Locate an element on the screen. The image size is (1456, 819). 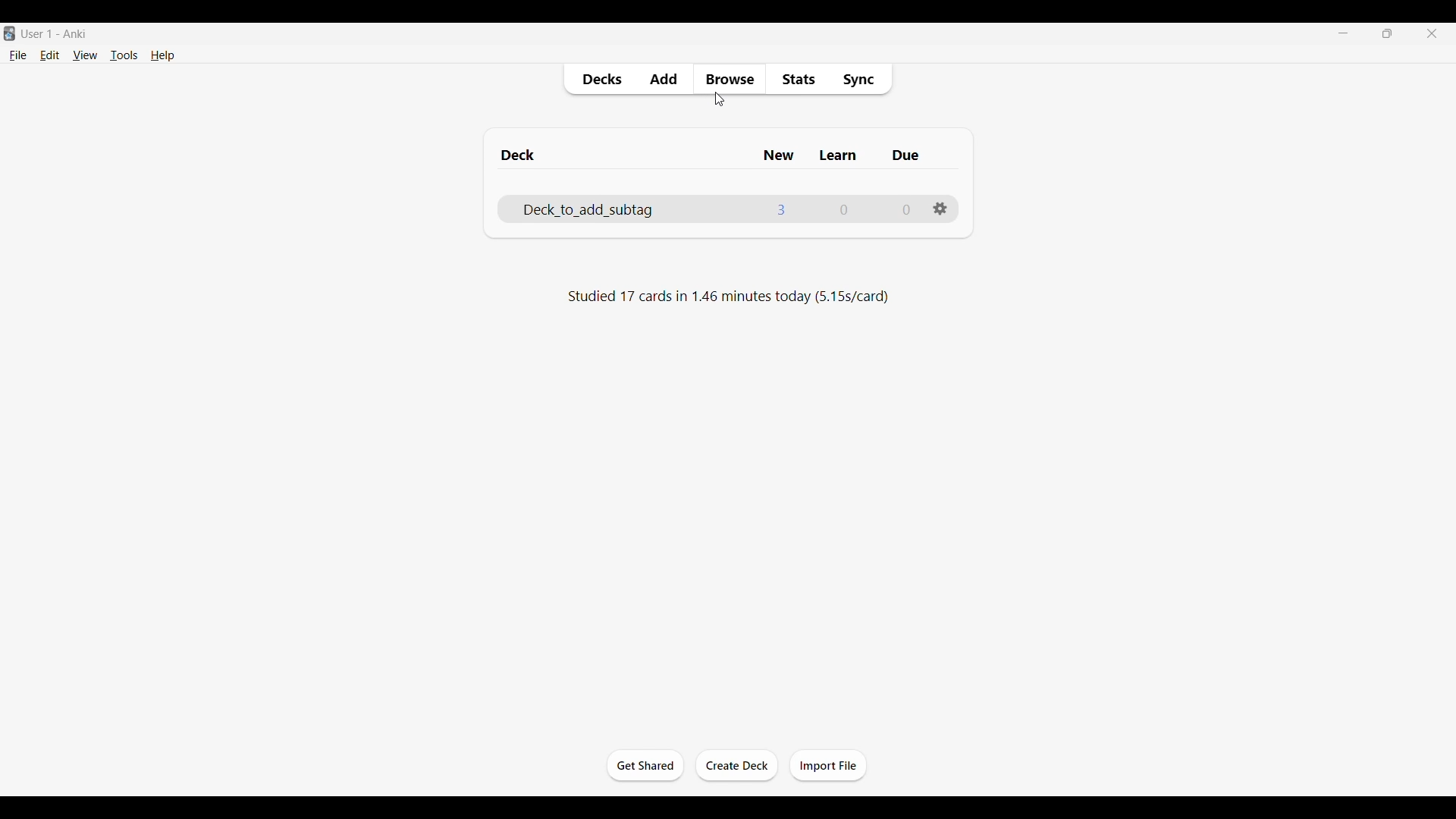
Settings is located at coordinates (940, 209).